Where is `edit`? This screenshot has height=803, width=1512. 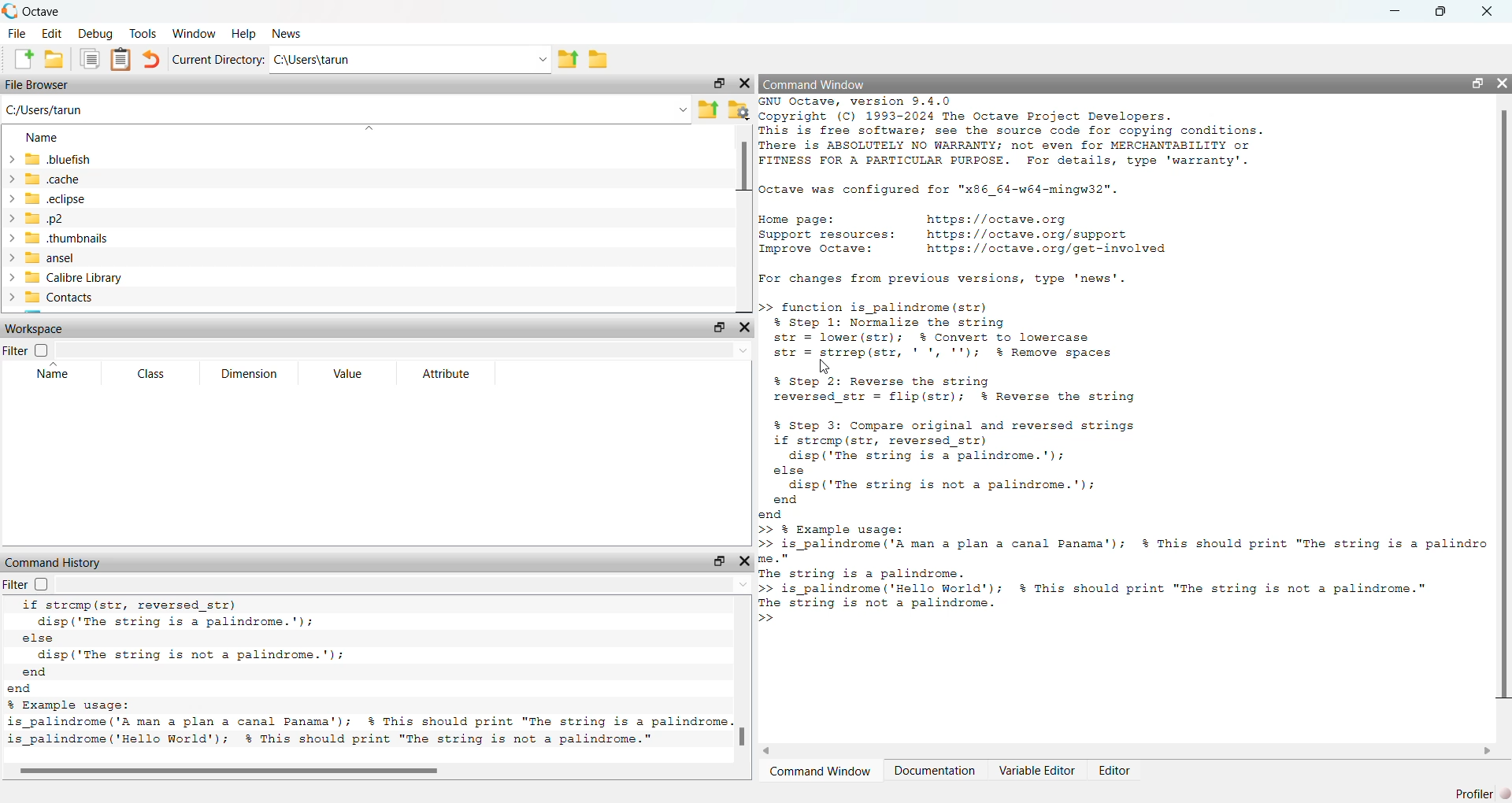 edit is located at coordinates (52, 32).